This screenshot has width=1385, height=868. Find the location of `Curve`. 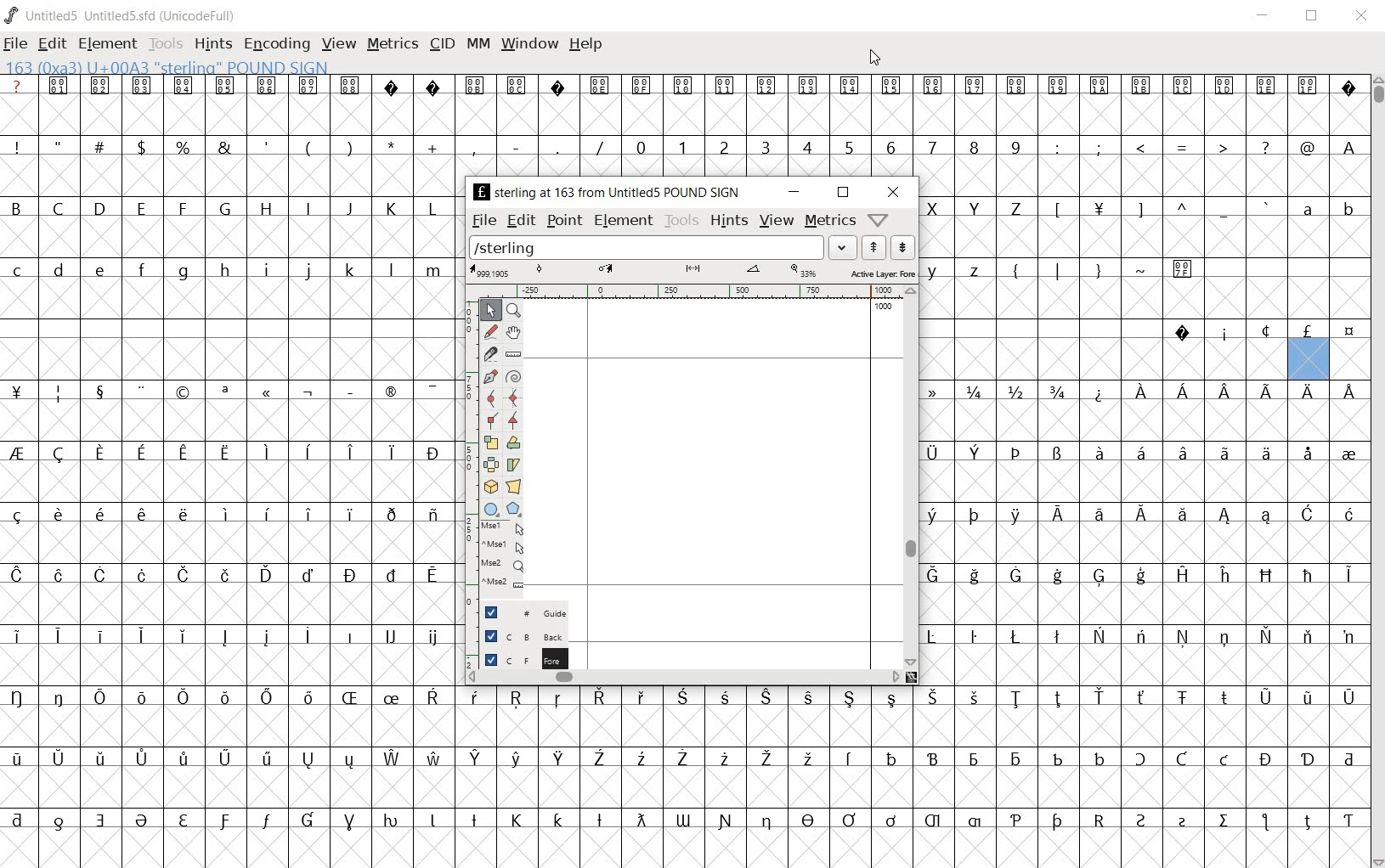

Curve is located at coordinates (493, 401).